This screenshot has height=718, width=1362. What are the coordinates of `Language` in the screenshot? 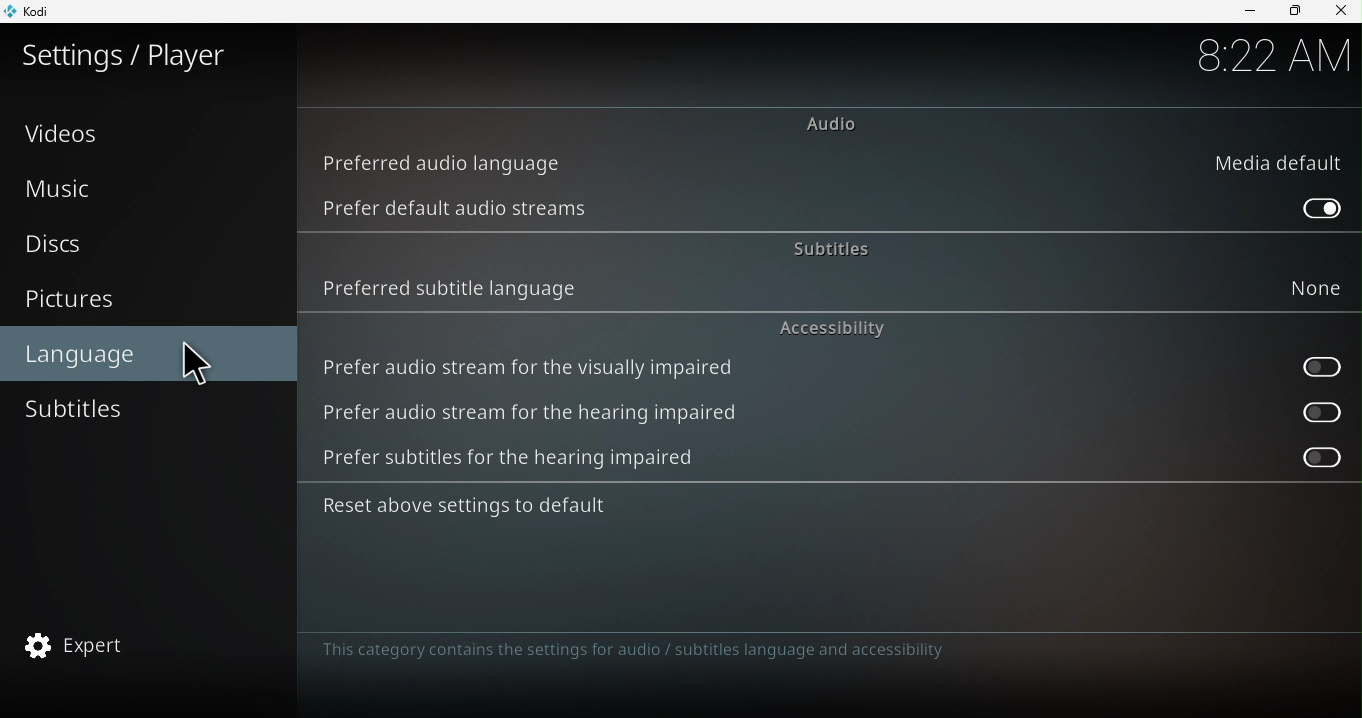 It's located at (151, 352).